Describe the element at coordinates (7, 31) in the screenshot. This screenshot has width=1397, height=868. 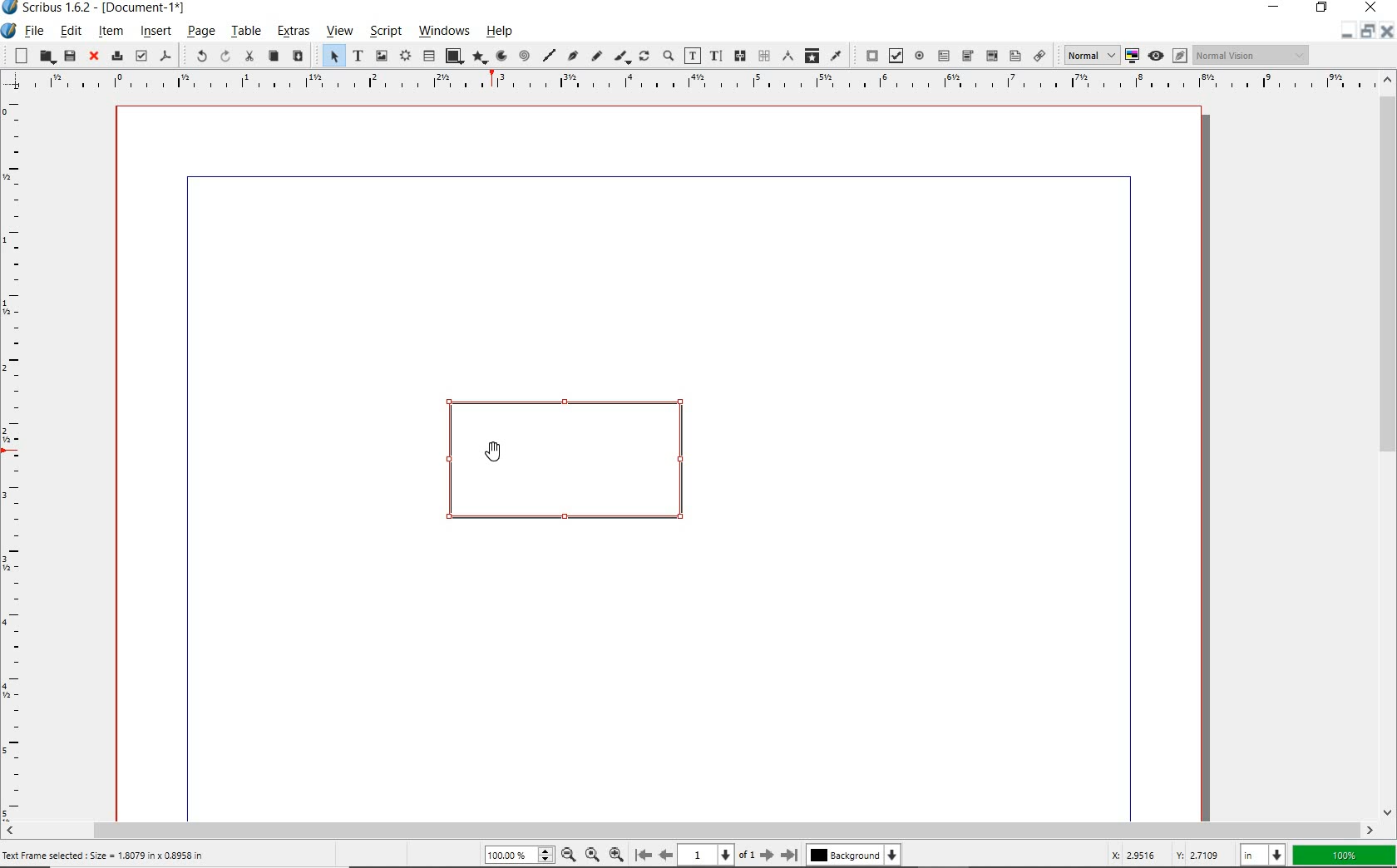
I see `system icon` at that location.